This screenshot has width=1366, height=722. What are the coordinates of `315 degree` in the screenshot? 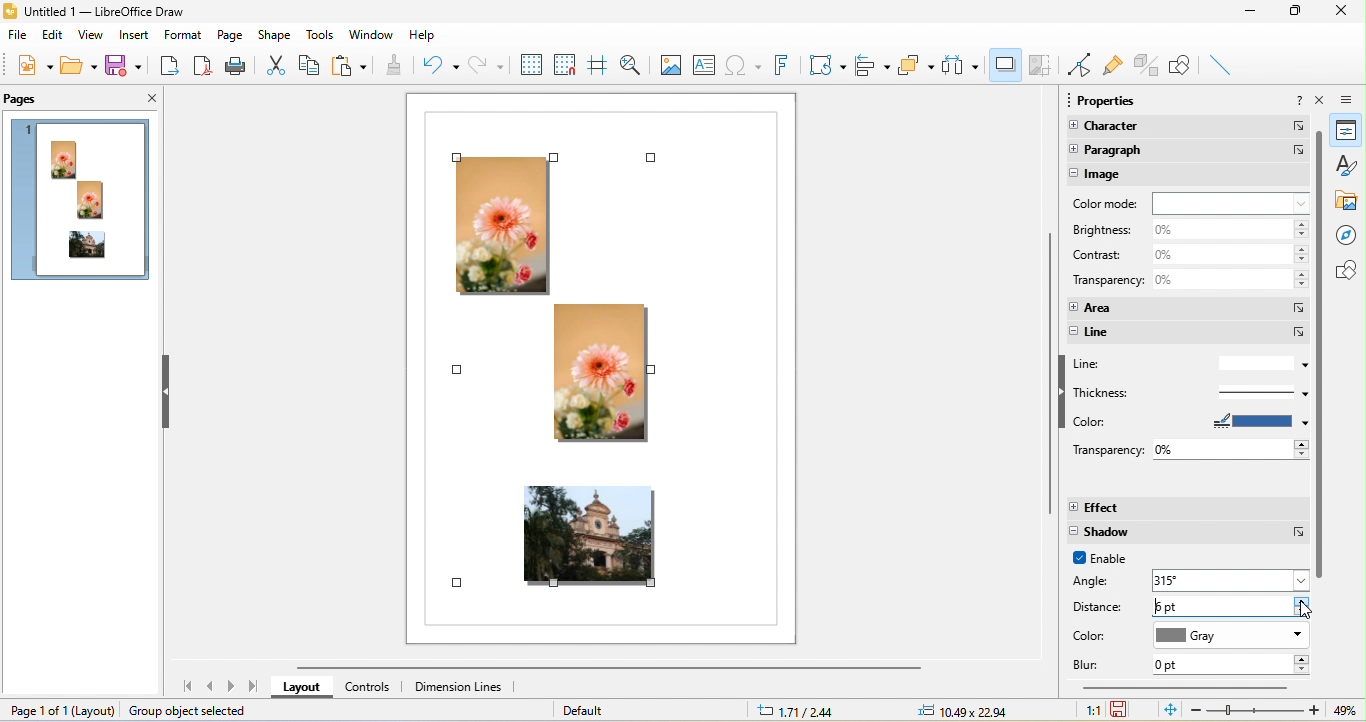 It's located at (1232, 579).